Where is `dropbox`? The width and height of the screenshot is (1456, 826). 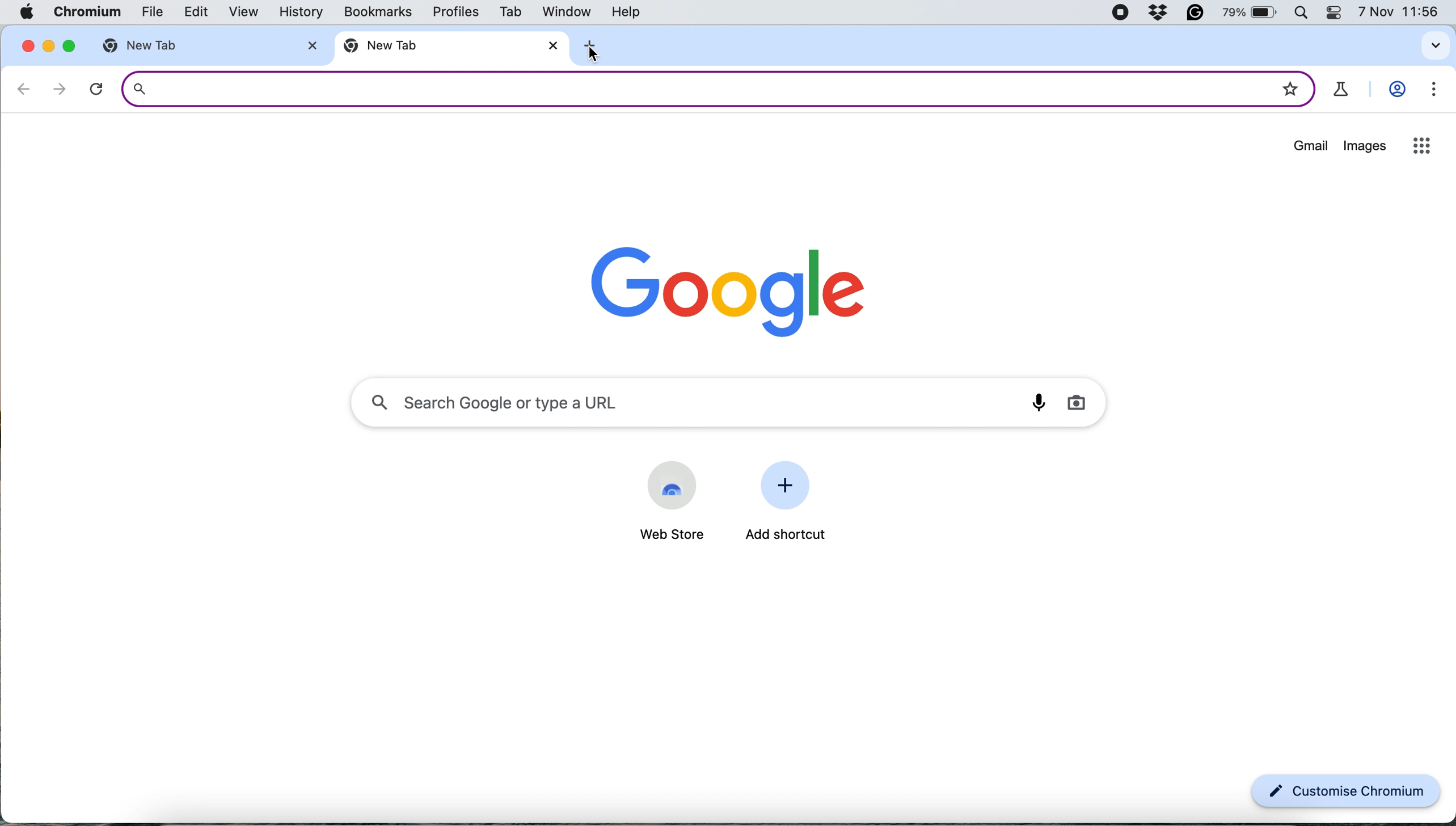 dropbox is located at coordinates (1159, 13).